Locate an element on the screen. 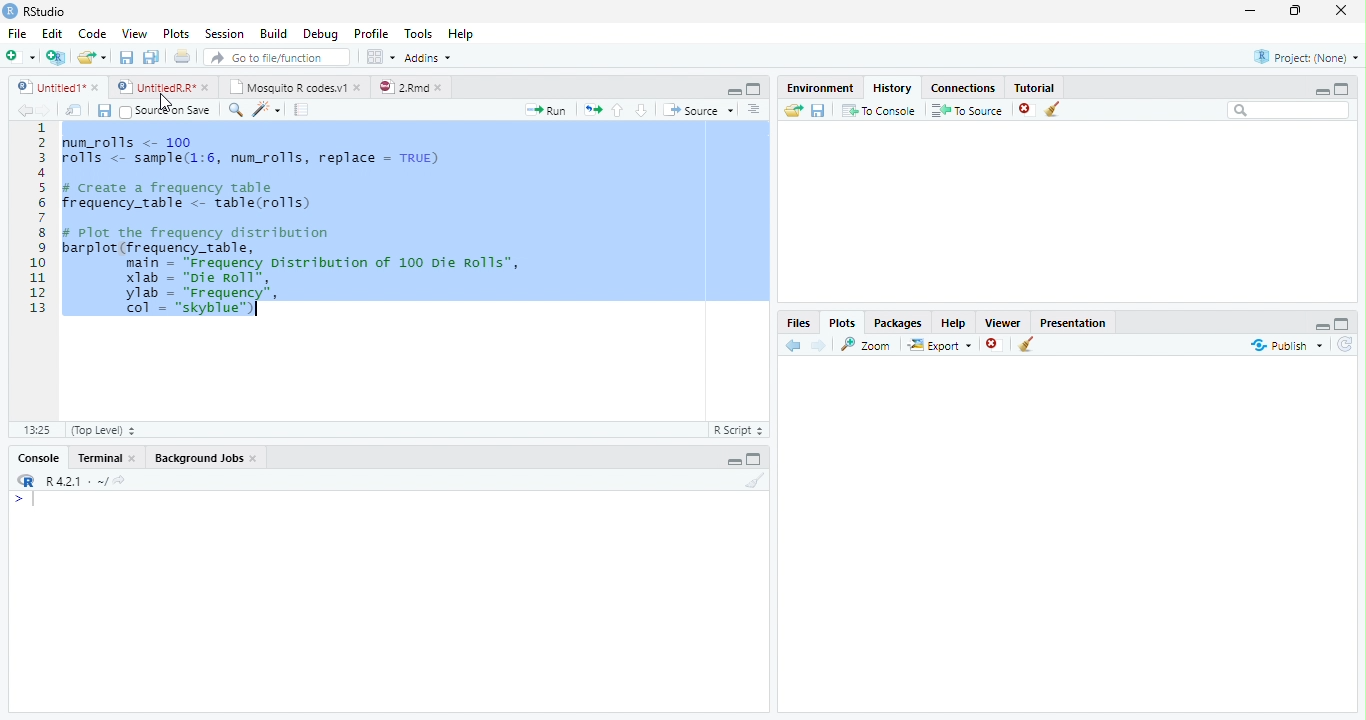 The width and height of the screenshot is (1366, 720). Zoom is located at coordinates (868, 345).